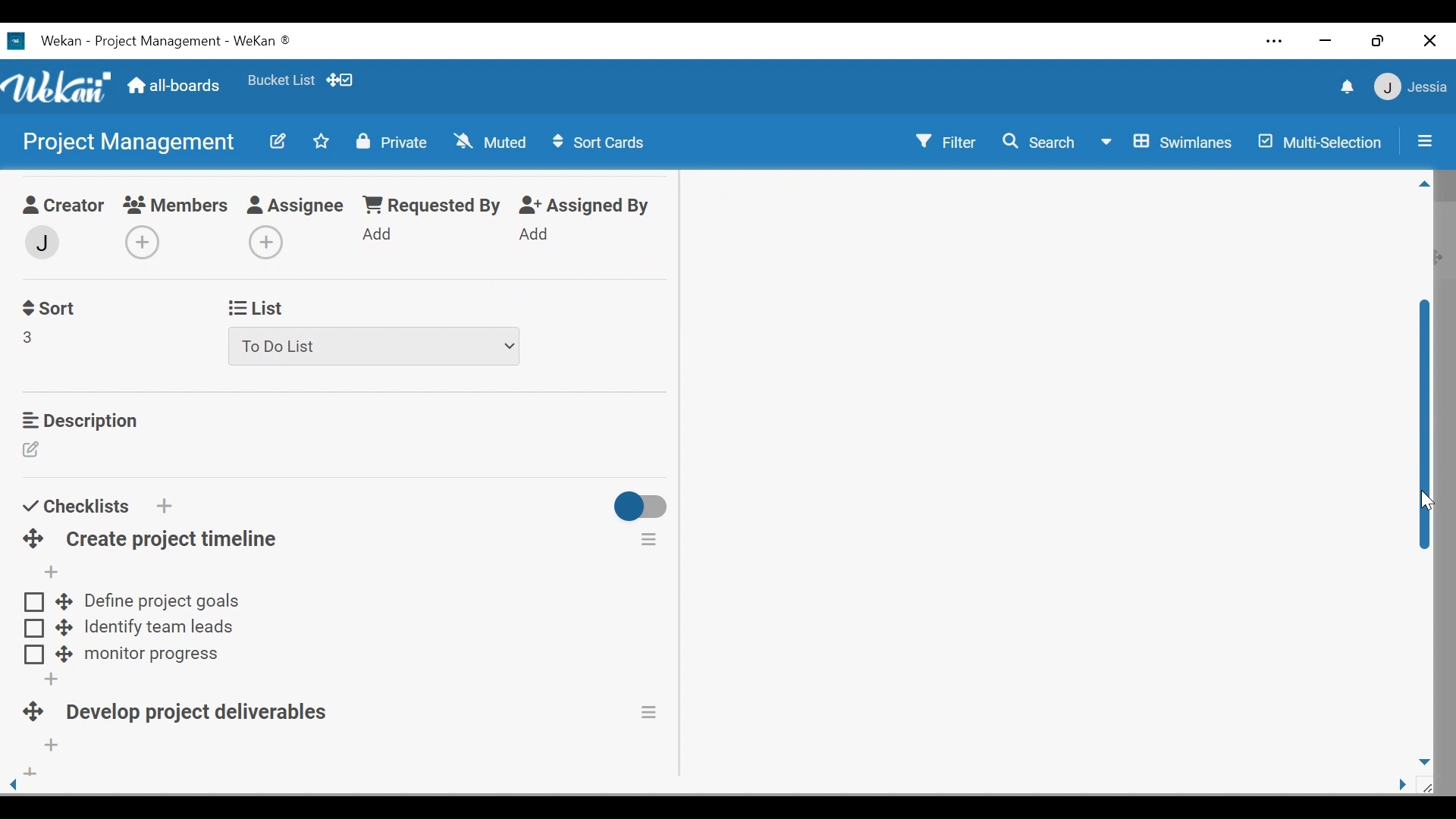 The width and height of the screenshot is (1456, 819). What do you see at coordinates (489, 141) in the screenshot?
I see `Muted` at bounding box center [489, 141].